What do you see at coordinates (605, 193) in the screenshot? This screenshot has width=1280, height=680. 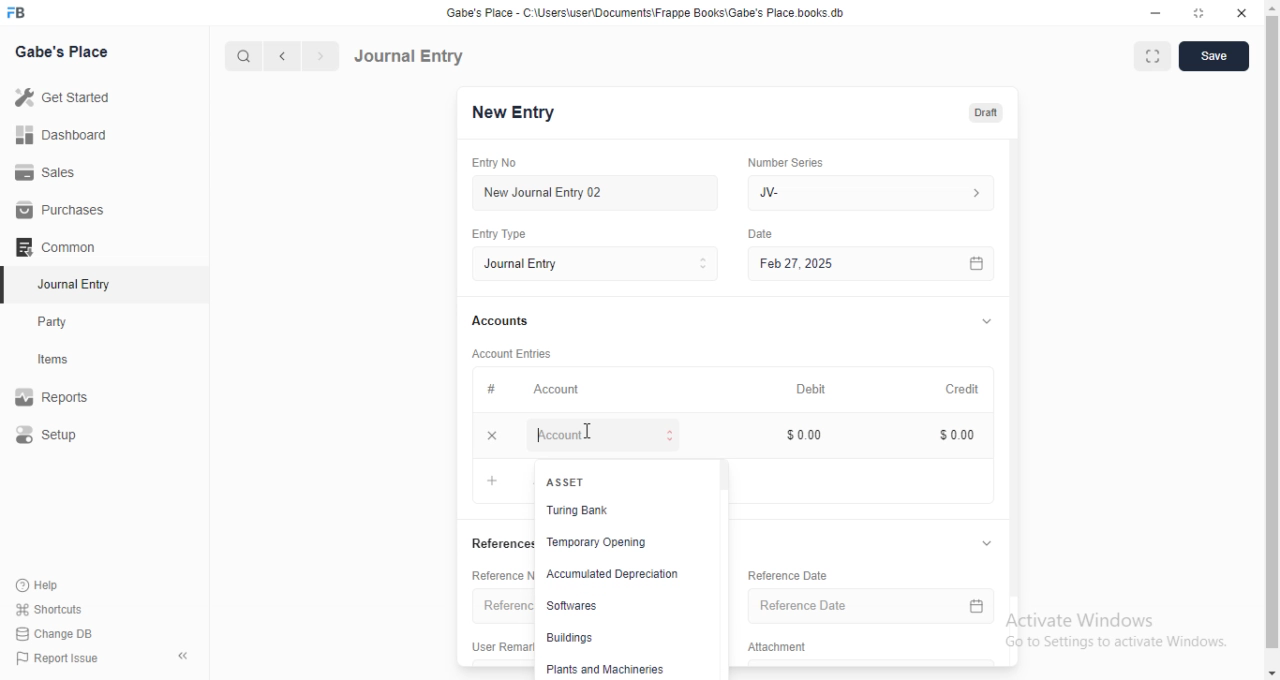 I see `New Journal Entry 02` at bounding box center [605, 193].